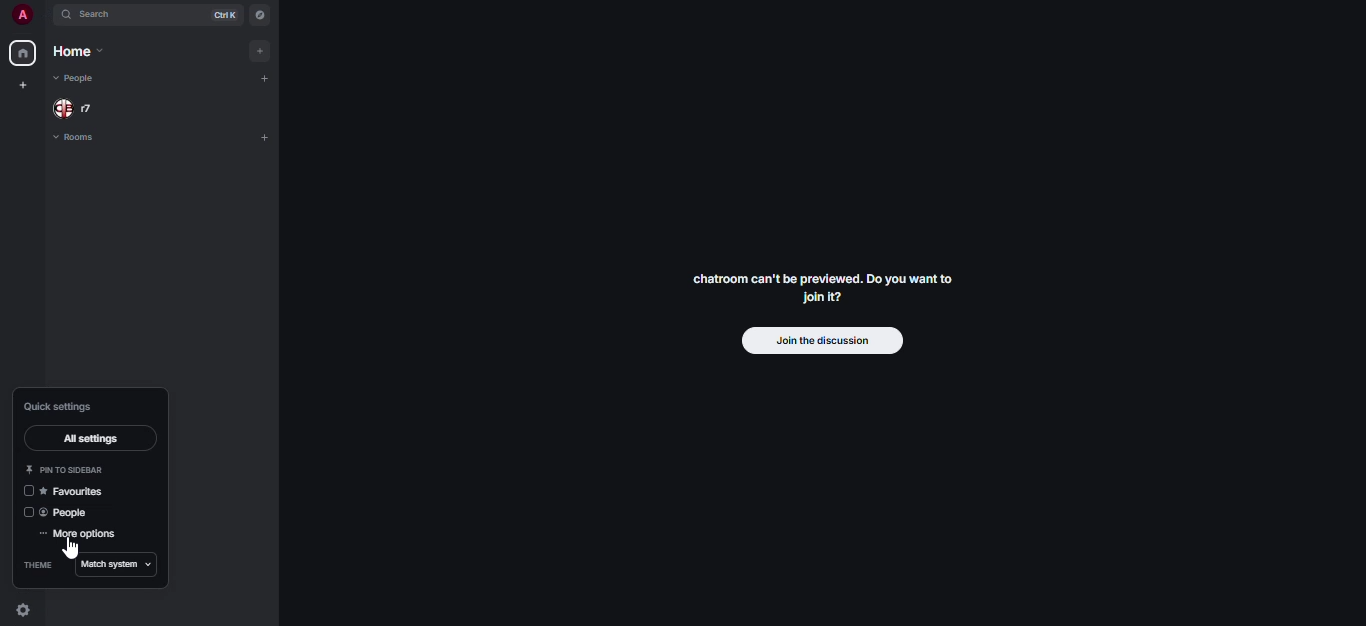 This screenshot has width=1366, height=626. Describe the element at coordinates (89, 437) in the screenshot. I see `all settings` at that location.